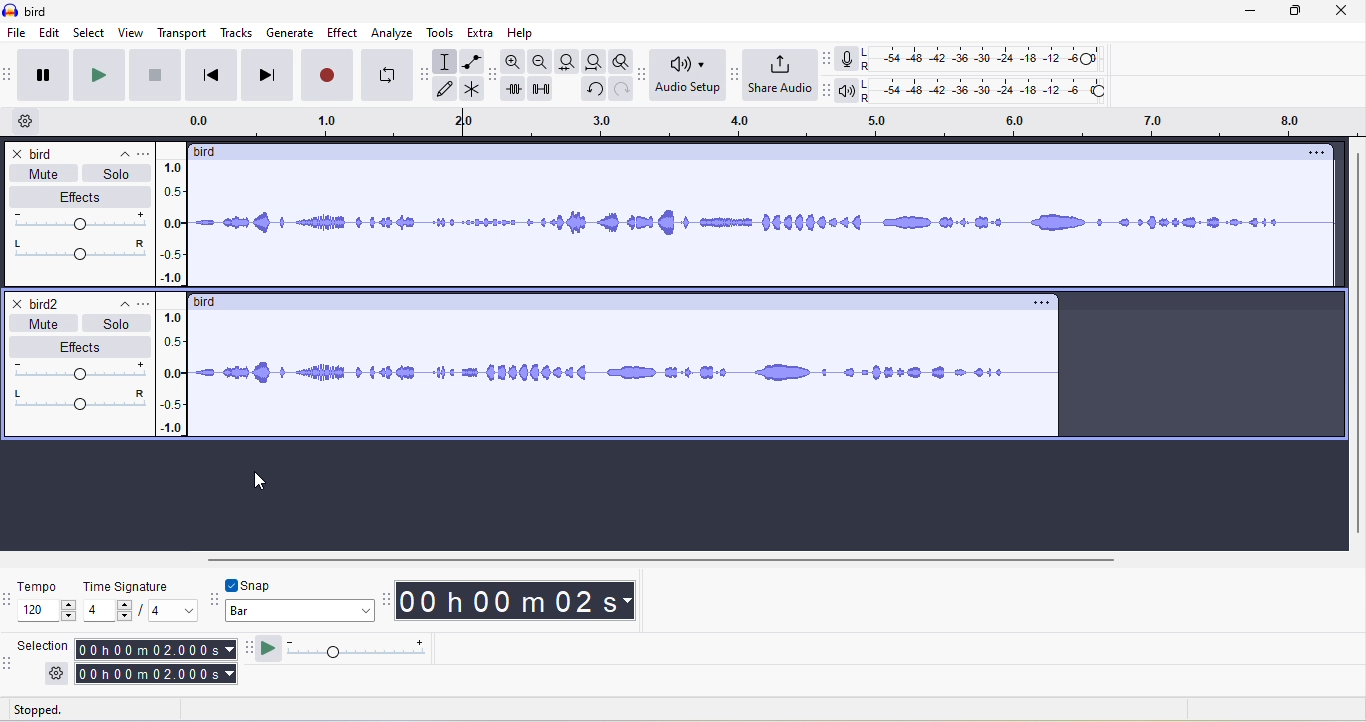 This screenshot has width=1366, height=722. I want to click on audacity transport toolbar, so click(9, 78).